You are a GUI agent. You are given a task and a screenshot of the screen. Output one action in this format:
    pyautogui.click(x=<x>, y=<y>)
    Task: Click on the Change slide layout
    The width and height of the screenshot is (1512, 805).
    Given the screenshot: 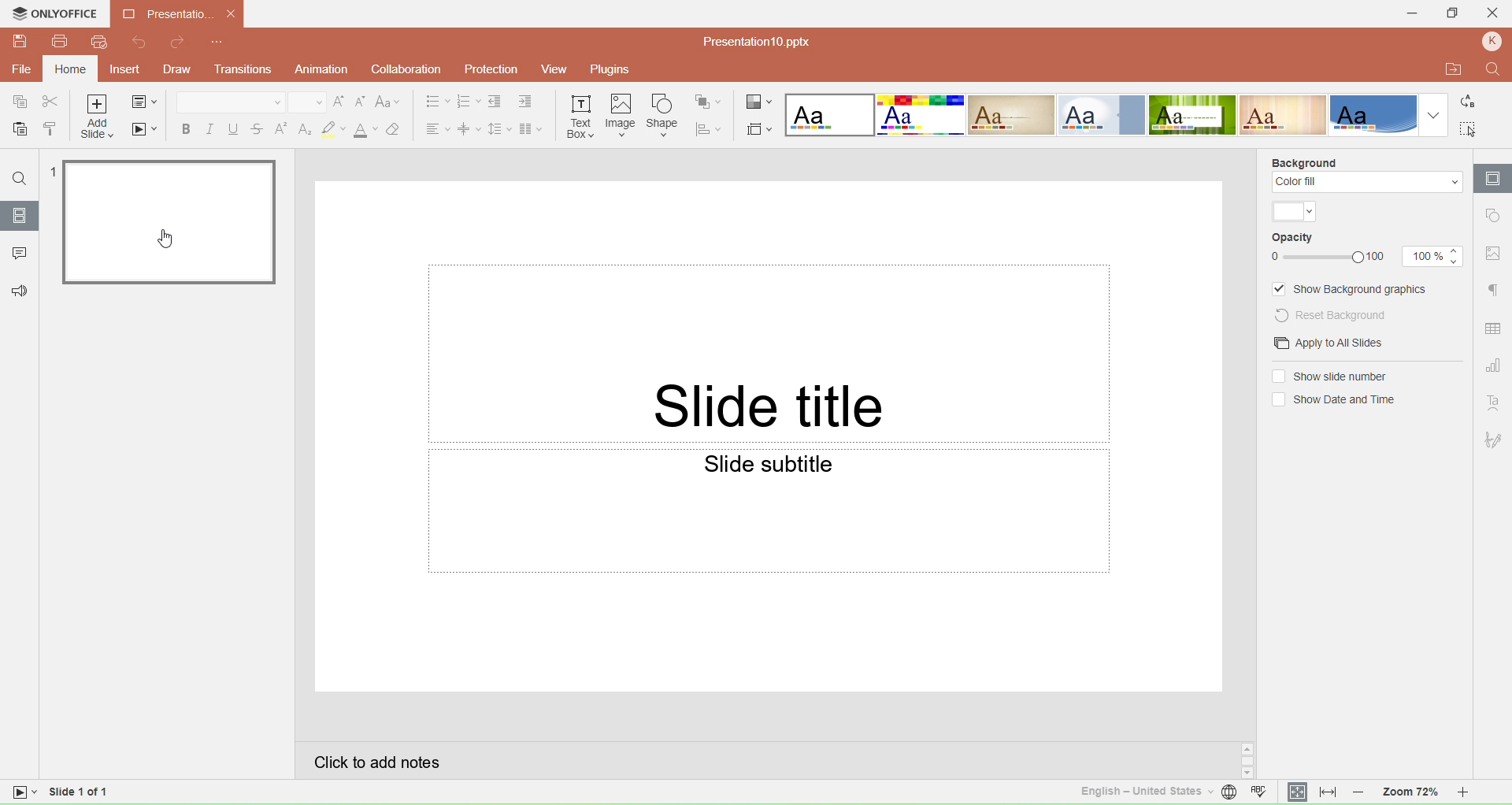 What is the action you would take?
    pyautogui.click(x=146, y=102)
    